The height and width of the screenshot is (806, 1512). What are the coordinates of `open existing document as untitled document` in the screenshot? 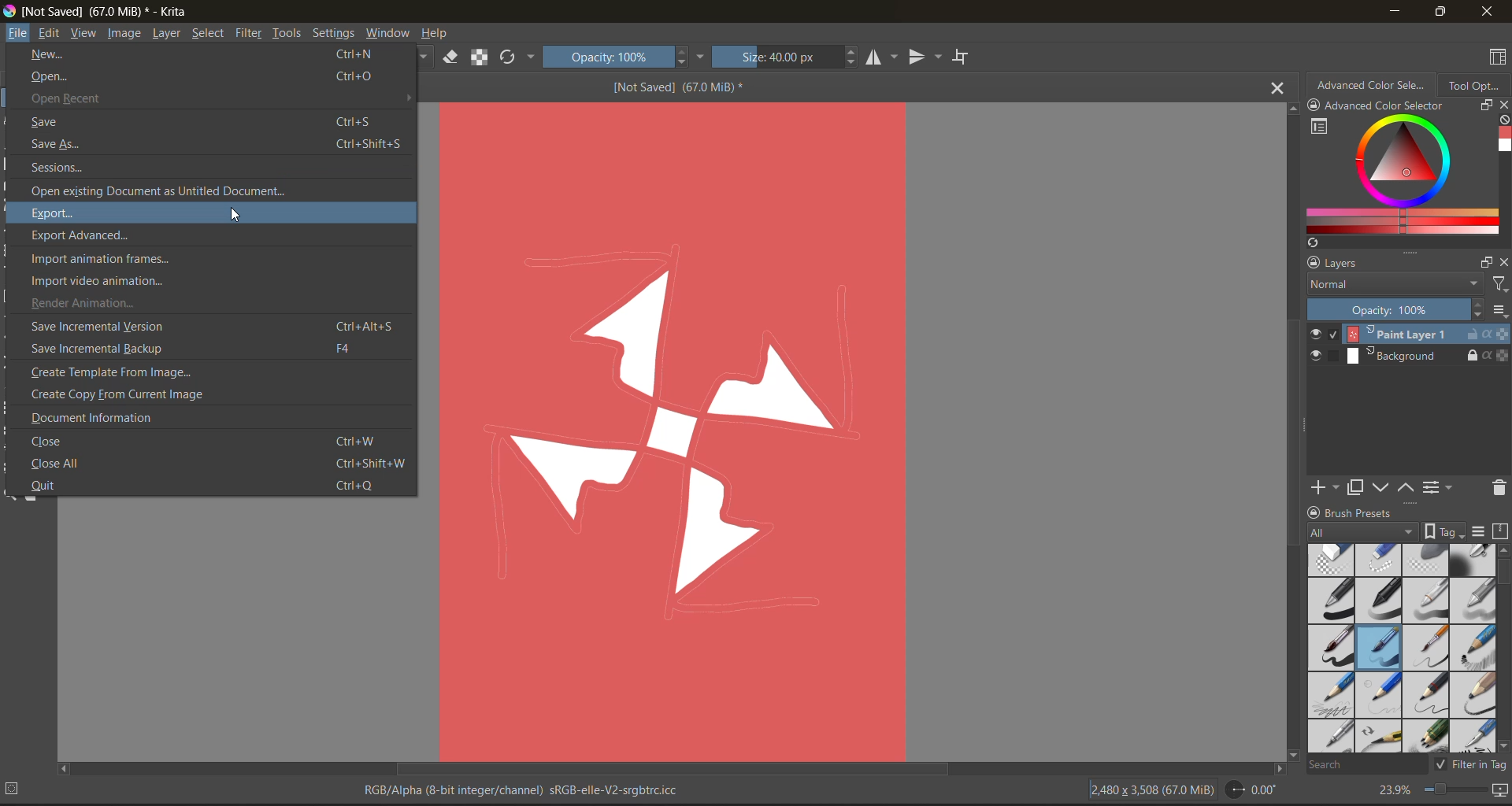 It's located at (158, 190).